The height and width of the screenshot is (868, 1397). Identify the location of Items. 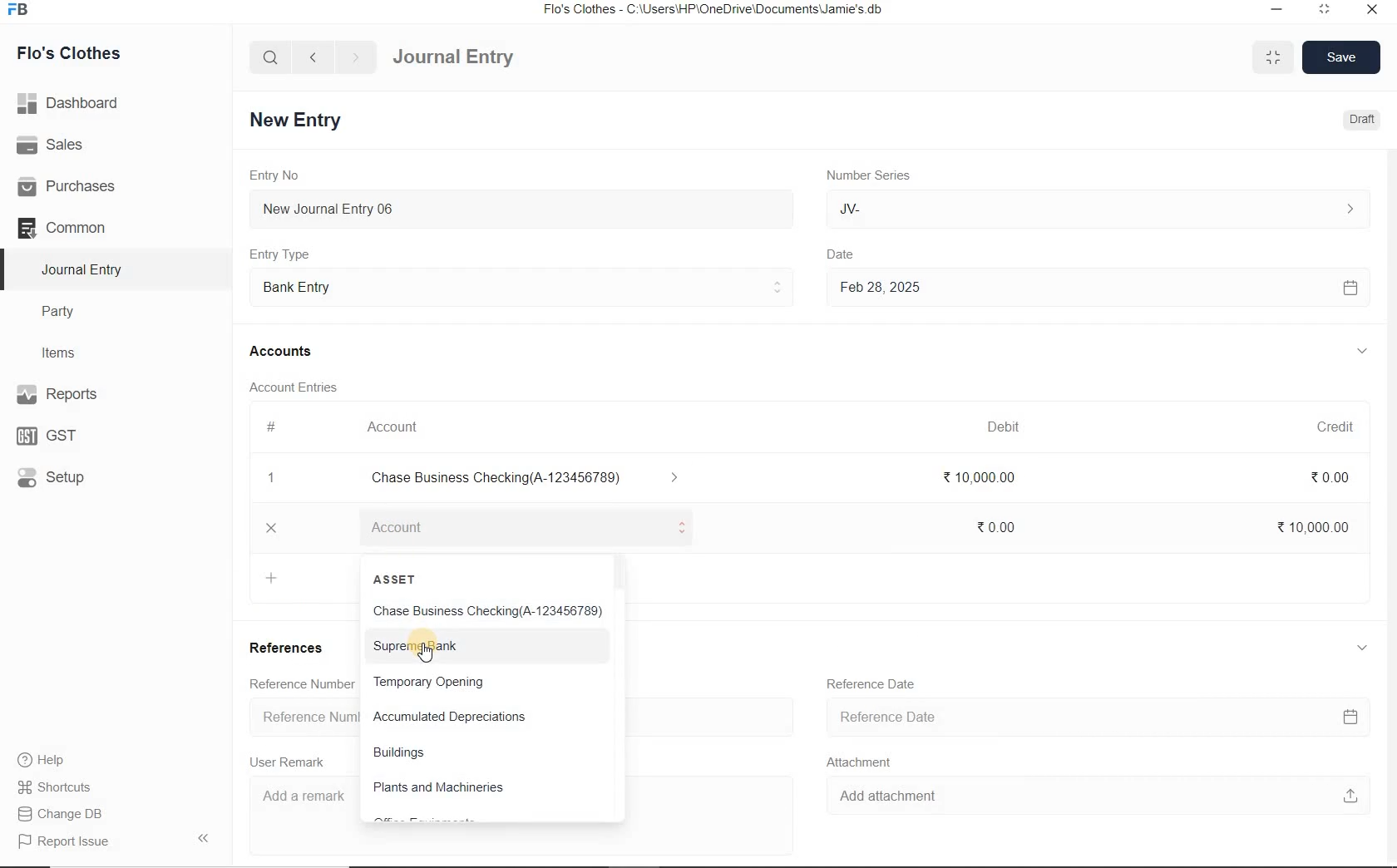
(67, 351).